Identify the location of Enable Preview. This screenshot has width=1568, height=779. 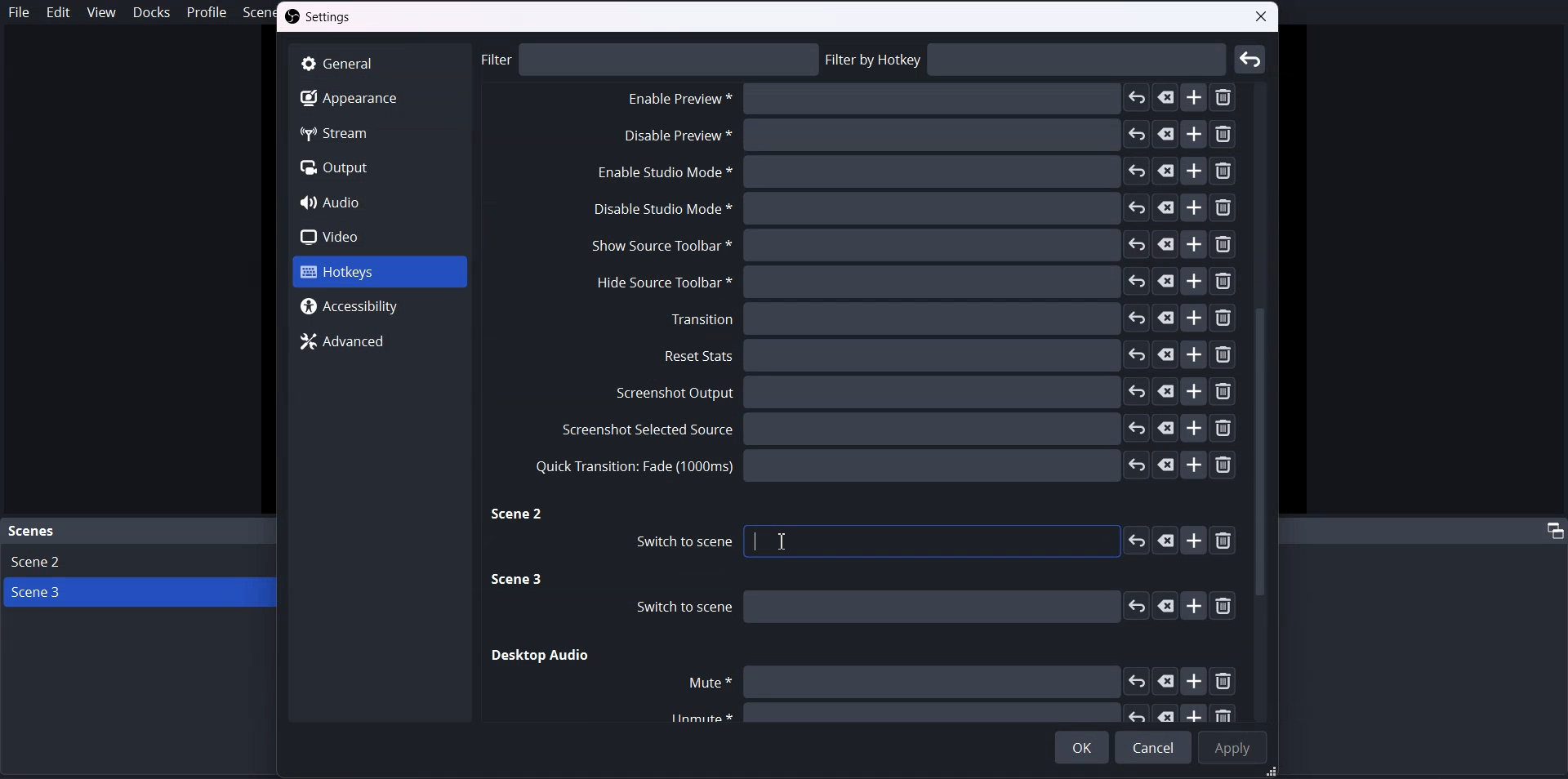
(924, 140).